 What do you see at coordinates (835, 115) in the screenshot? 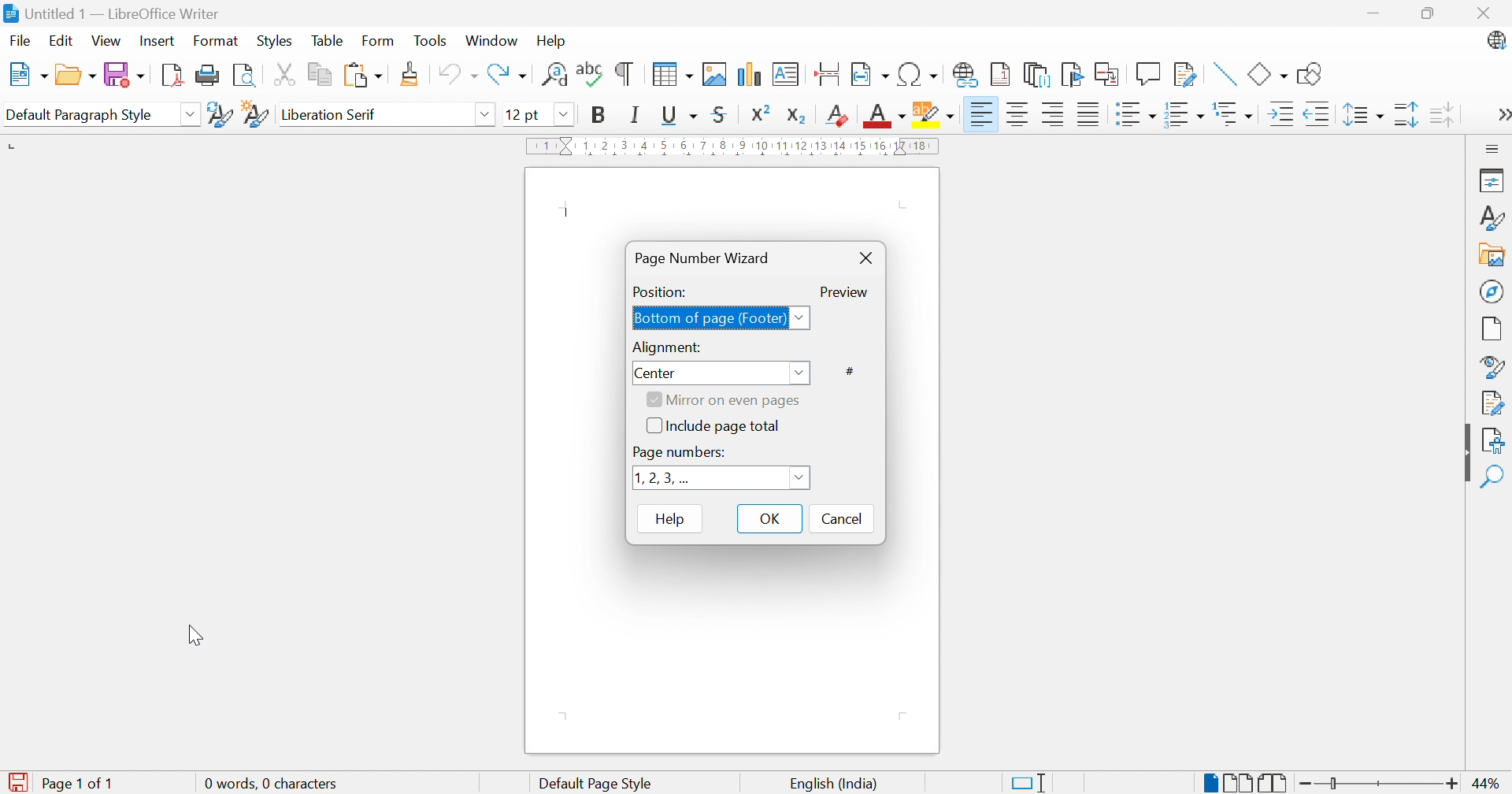
I see `Clear direct formatting` at bounding box center [835, 115].